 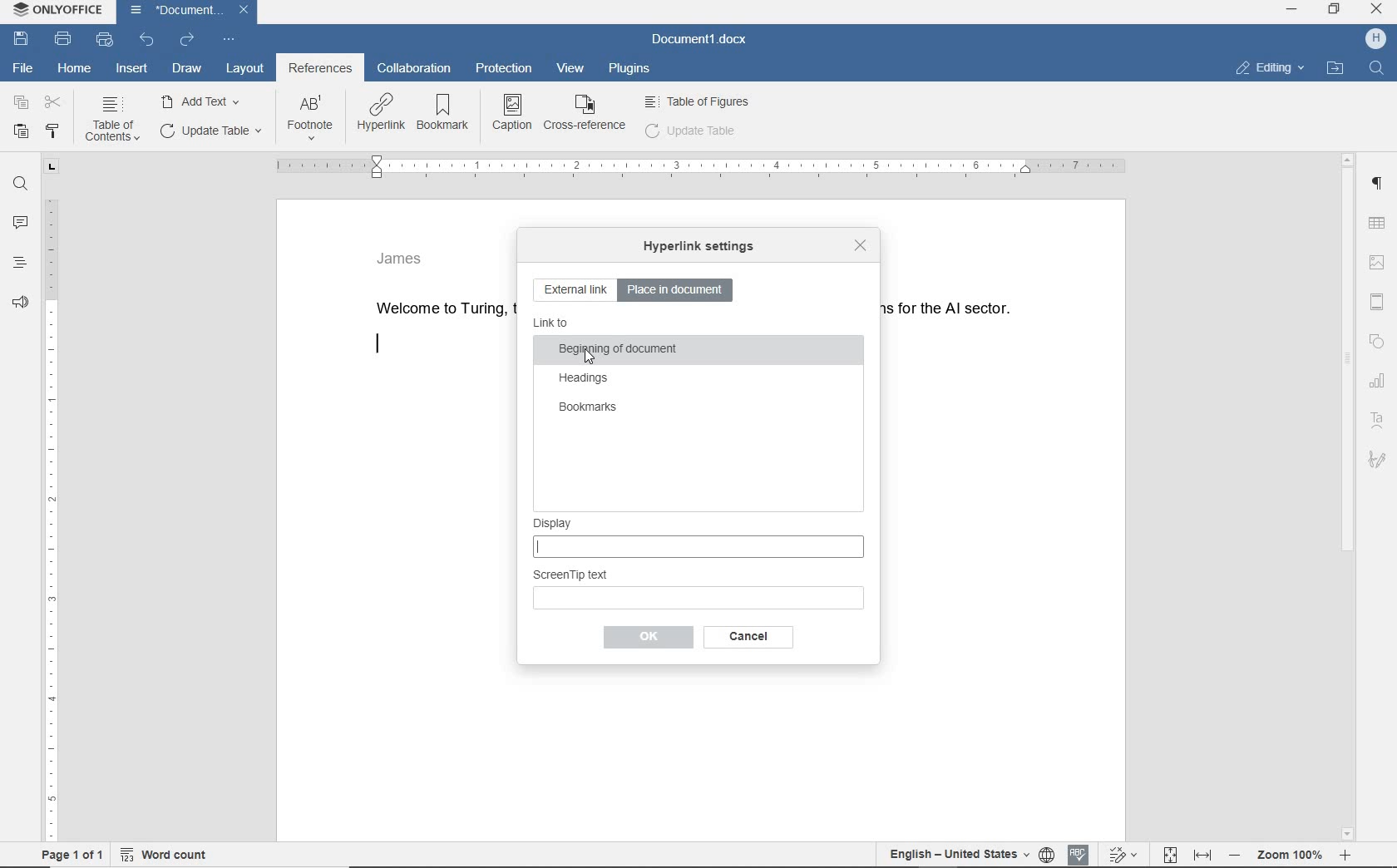 I want to click on fit topage, so click(x=1169, y=855).